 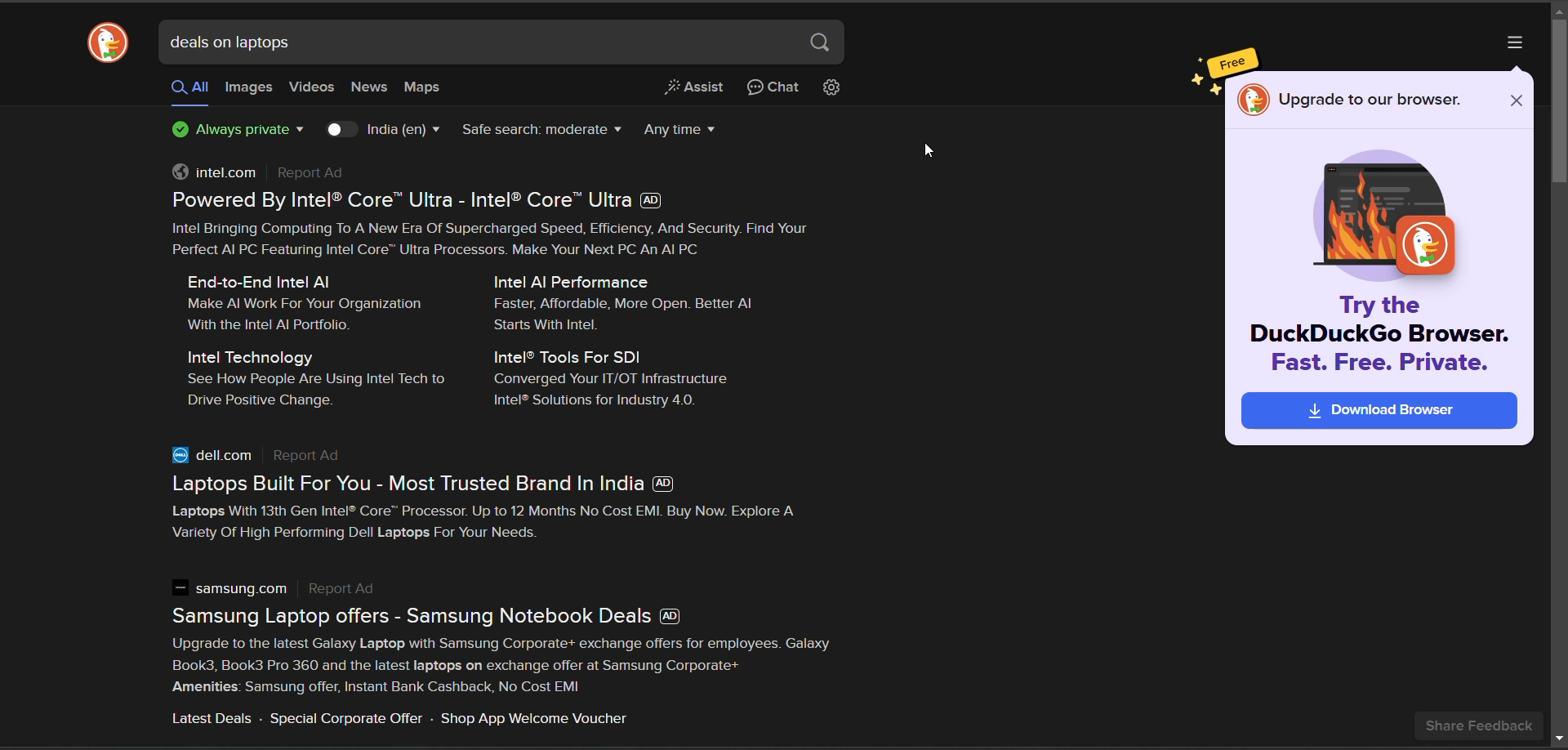 I want to click on country, so click(x=403, y=132).